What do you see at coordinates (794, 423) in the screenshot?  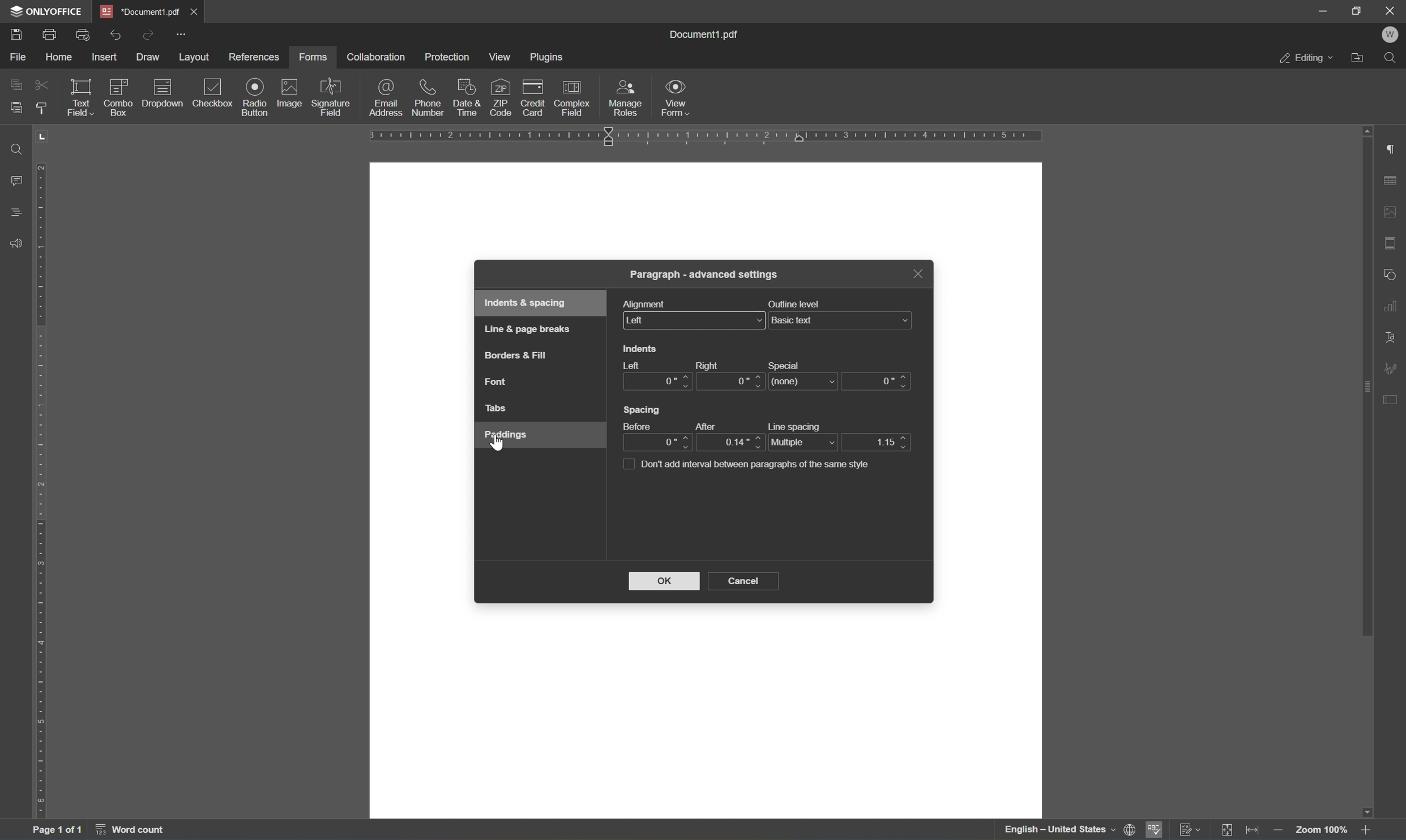 I see `line spacing` at bounding box center [794, 423].